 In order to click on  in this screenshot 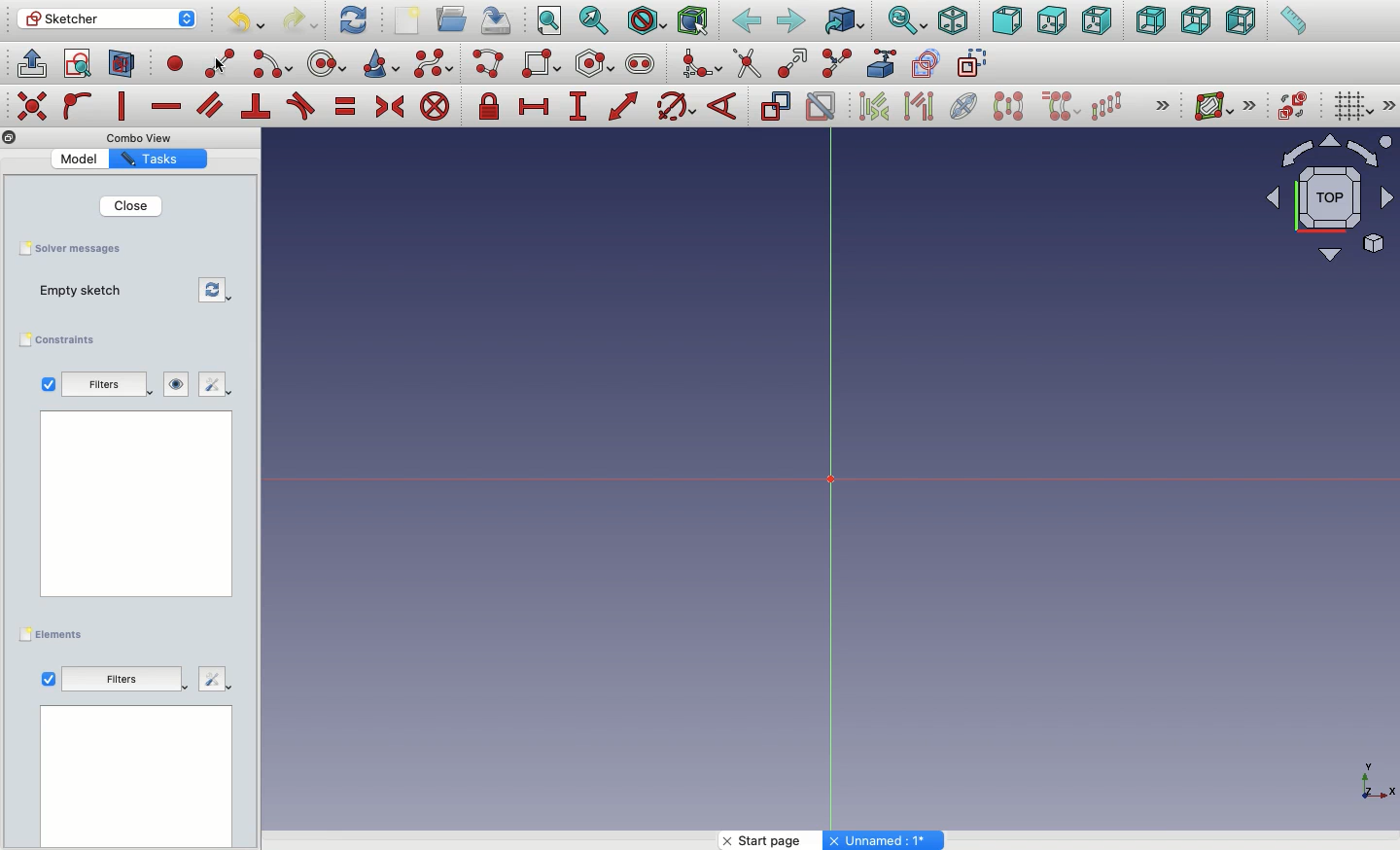, I will do `click(123, 680)`.